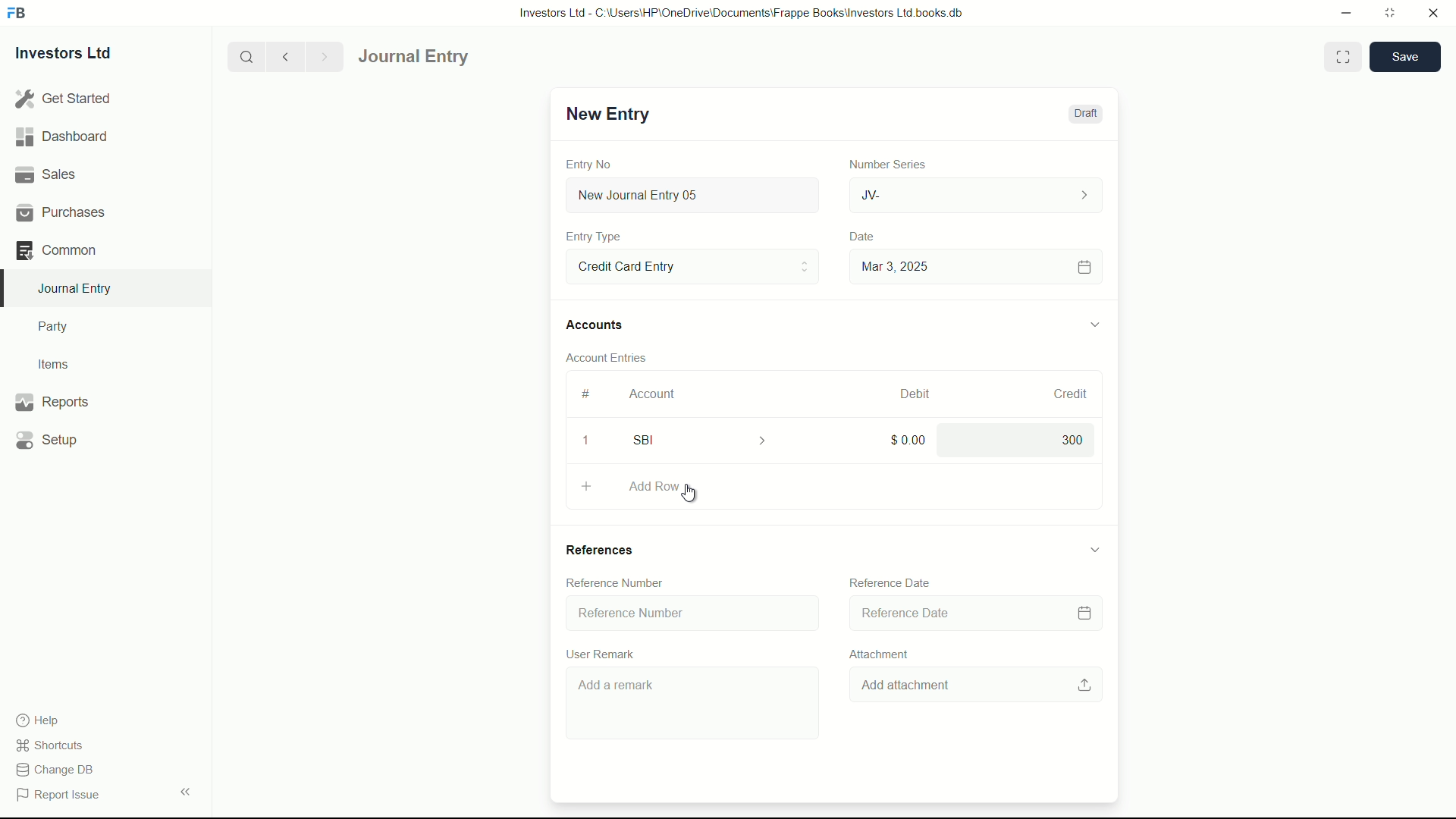  I want to click on Reference Date, so click(974, 612).